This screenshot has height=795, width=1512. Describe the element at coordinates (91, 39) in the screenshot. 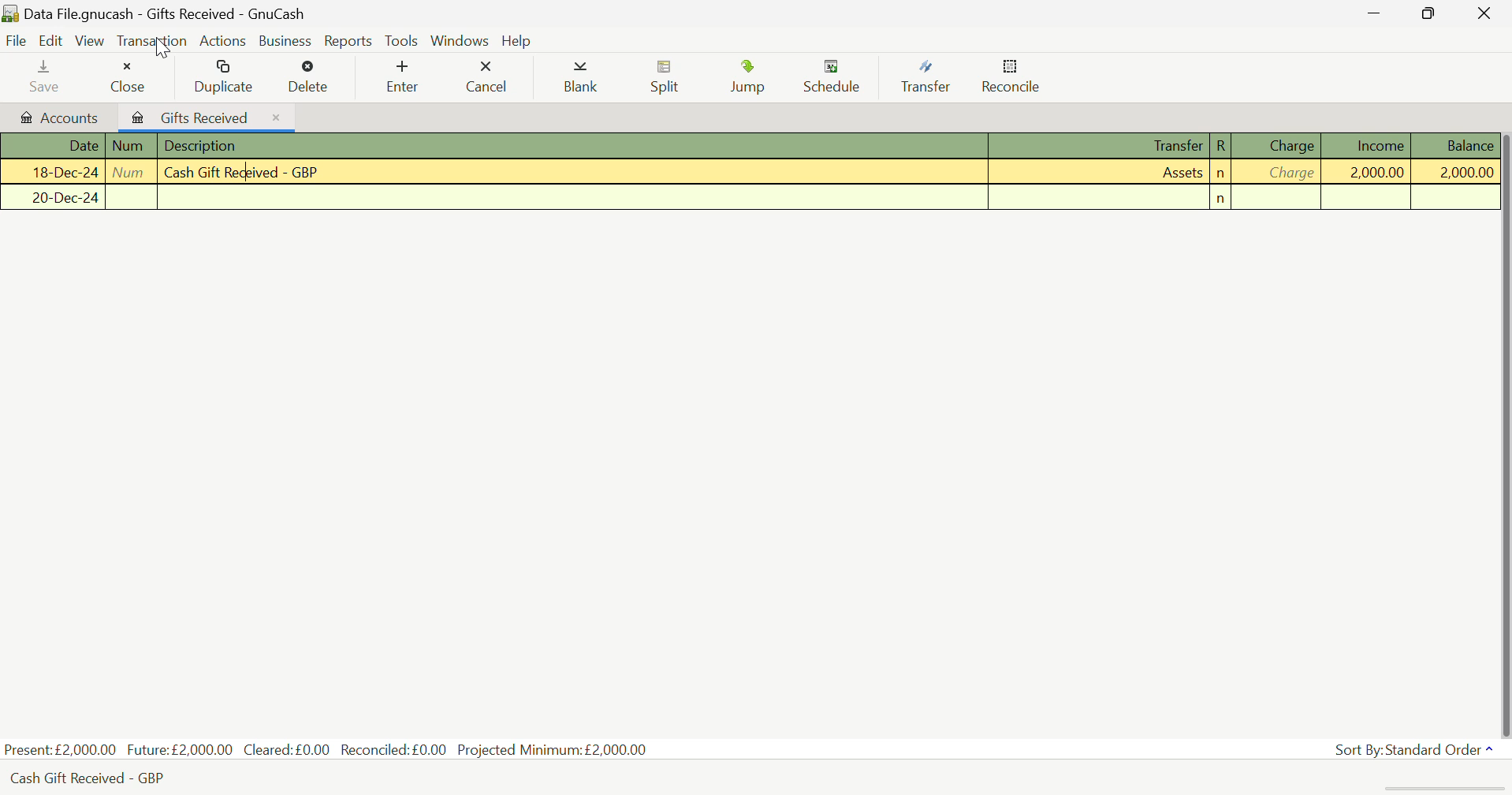

I see `View` at that location.